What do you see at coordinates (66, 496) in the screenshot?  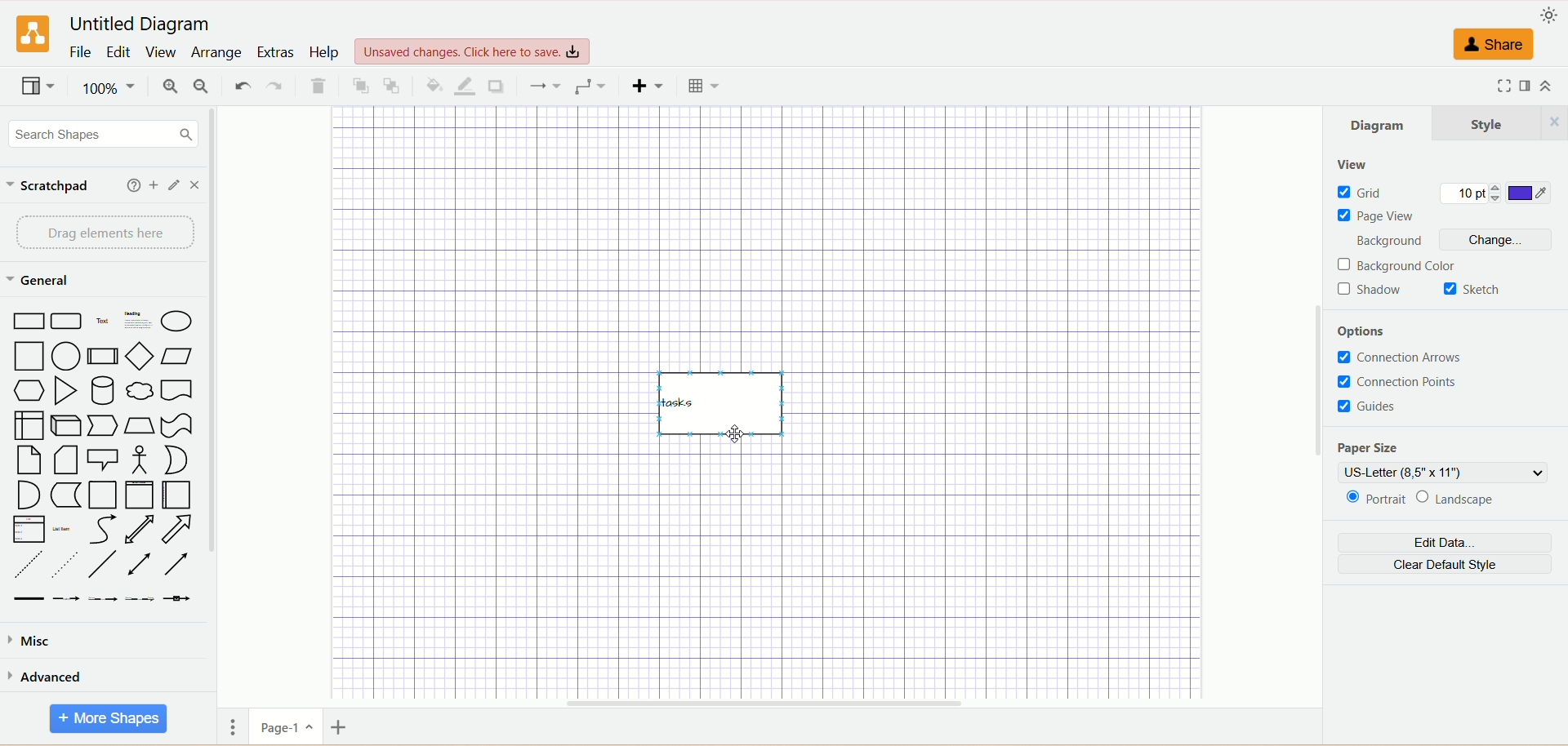 I see `Marker` at bounding box center [66, 496].